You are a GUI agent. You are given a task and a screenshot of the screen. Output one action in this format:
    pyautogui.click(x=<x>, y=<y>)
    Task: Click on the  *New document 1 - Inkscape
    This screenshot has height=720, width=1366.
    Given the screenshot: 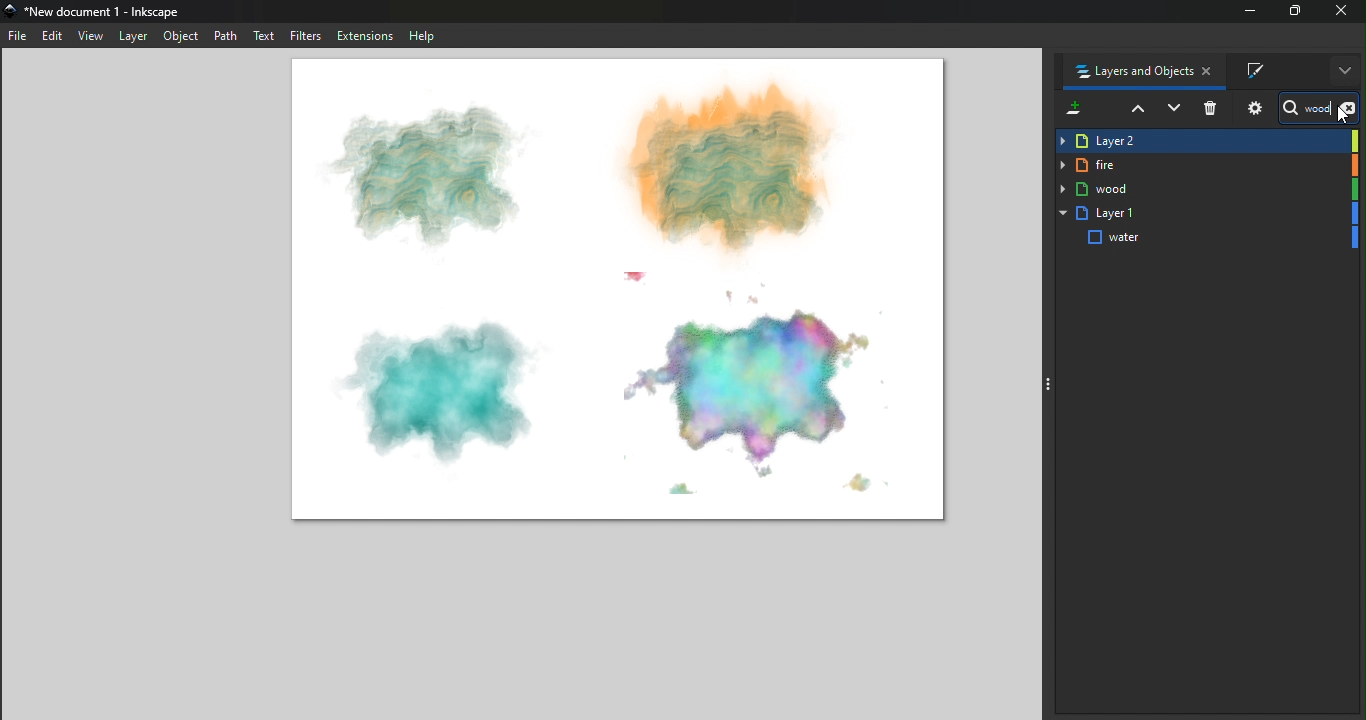 What is the action you would take?
    pyautogui.click(x=104, y=12)
    